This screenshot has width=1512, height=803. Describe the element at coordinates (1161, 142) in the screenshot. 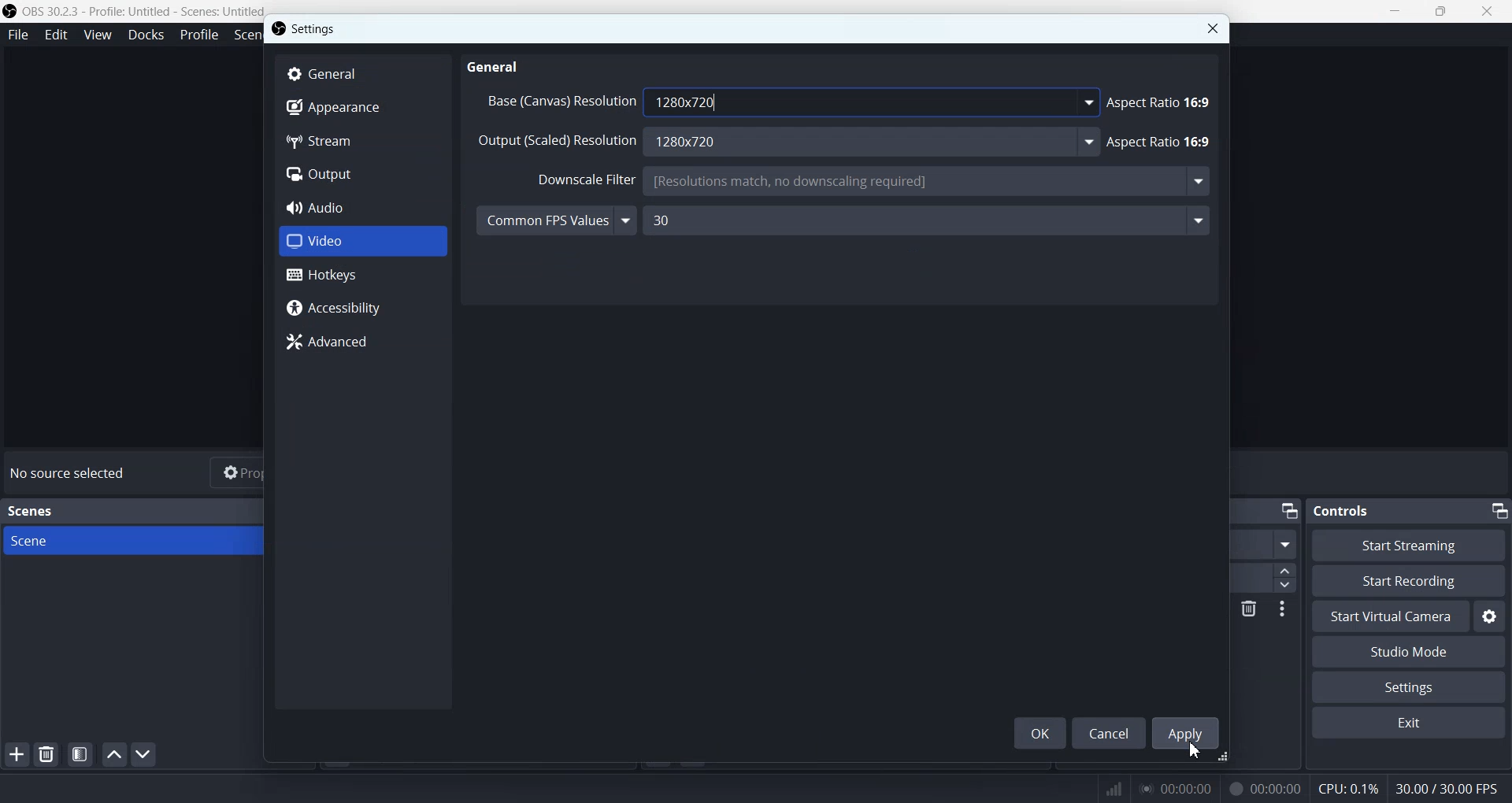

I see `Aspect Ratio 16:9` at that location.